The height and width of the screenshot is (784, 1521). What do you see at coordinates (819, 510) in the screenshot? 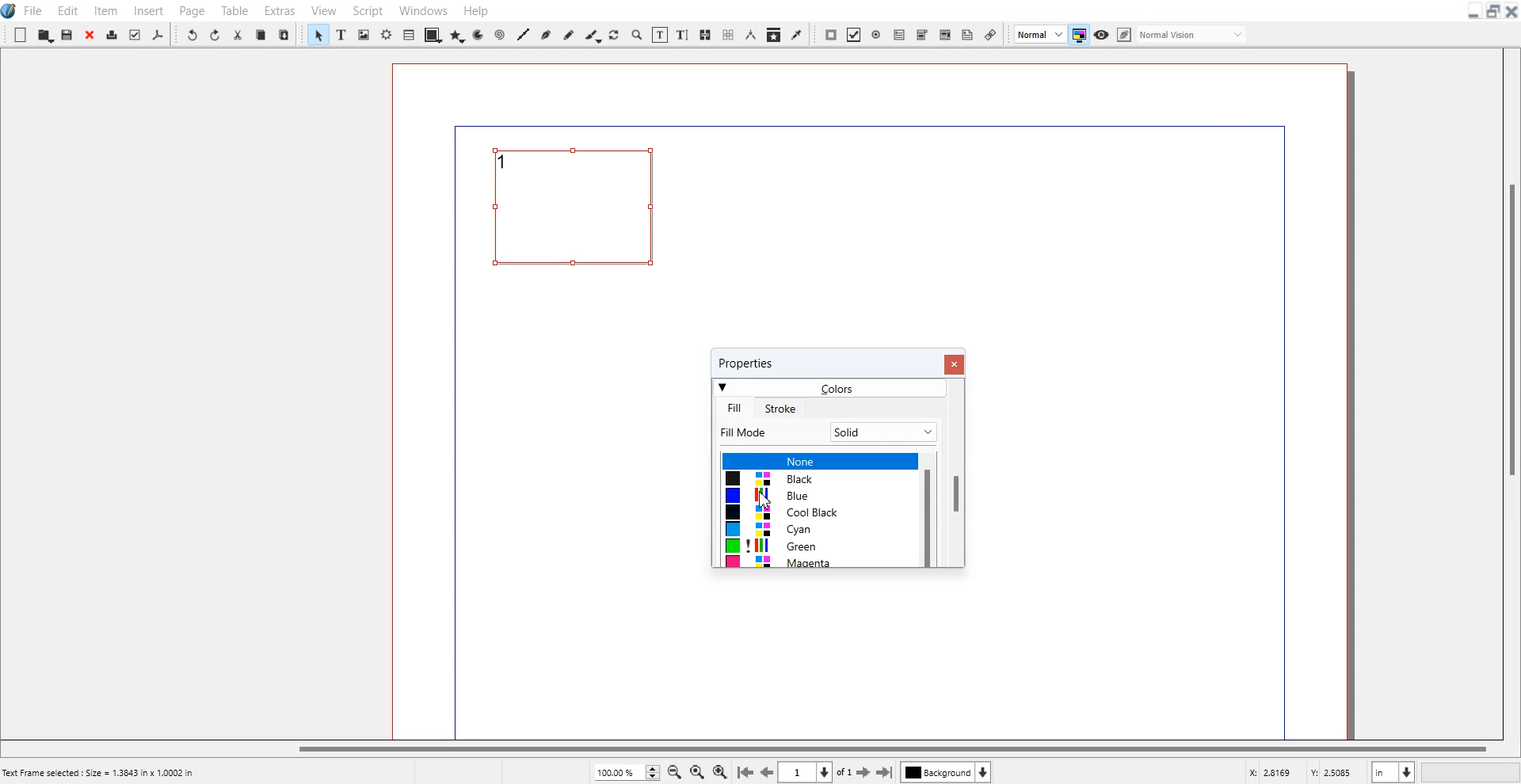
I see `Colors` at bounding box center [819, 510].